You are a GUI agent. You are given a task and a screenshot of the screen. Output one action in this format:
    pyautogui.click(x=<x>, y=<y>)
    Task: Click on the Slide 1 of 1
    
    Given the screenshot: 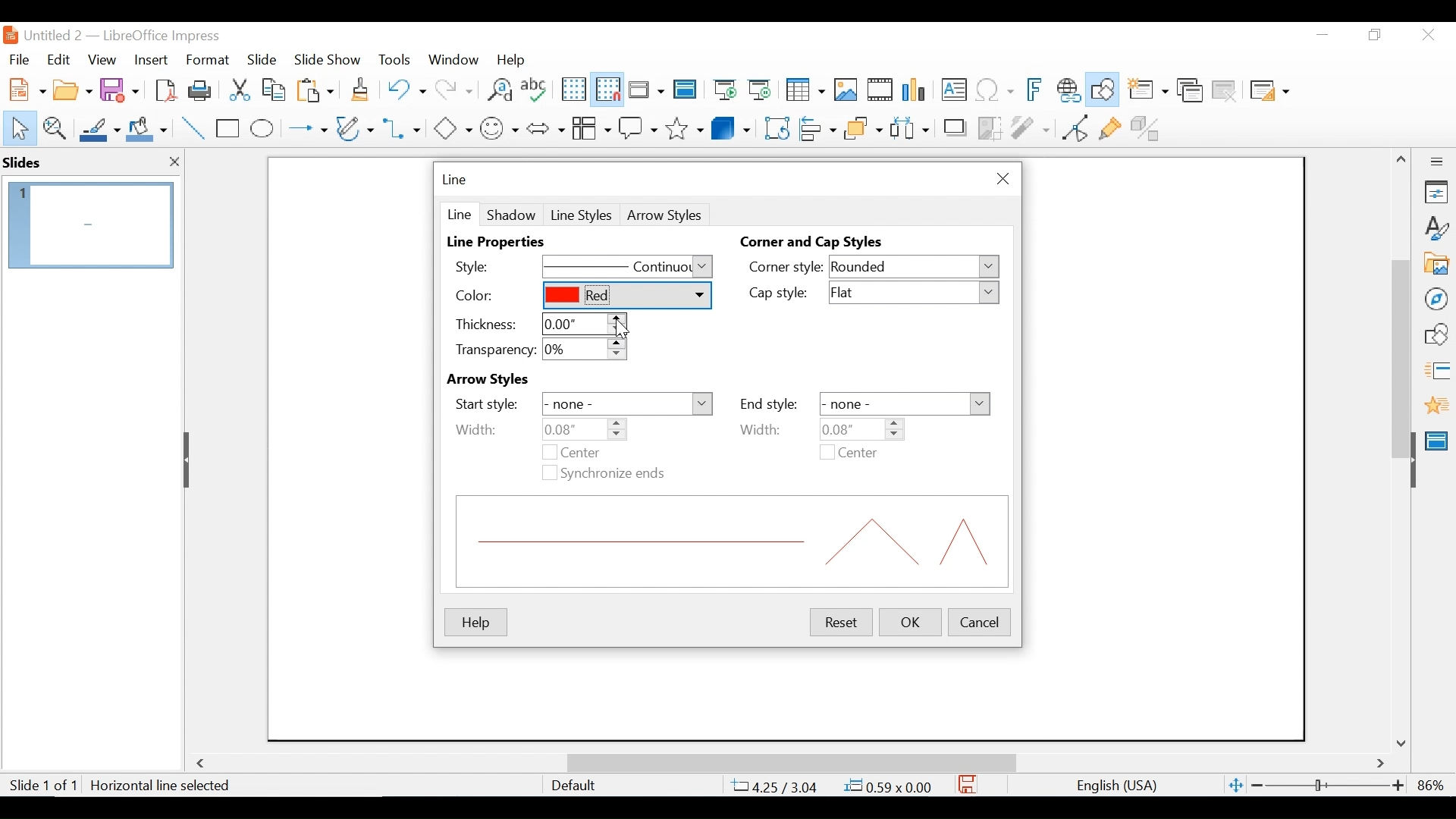 What is the action you would take?
    pyautogui.click(x=42, y=786)
    